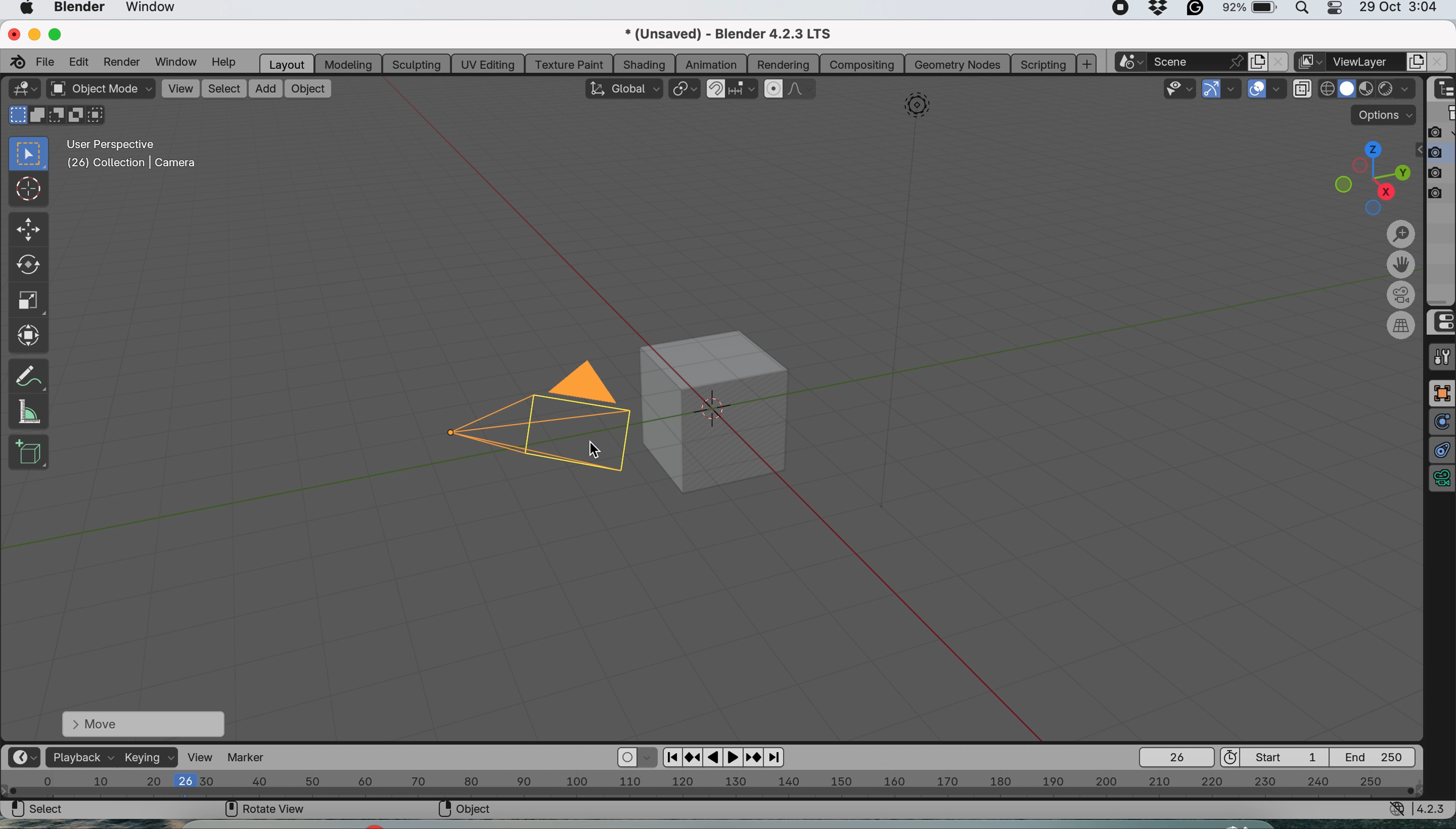 This screenshot has width=1456, height=829. What do you see at coordinates (712, 786) in the screenshot?
I see `horizontal scale` at bounding box center [712, 786].